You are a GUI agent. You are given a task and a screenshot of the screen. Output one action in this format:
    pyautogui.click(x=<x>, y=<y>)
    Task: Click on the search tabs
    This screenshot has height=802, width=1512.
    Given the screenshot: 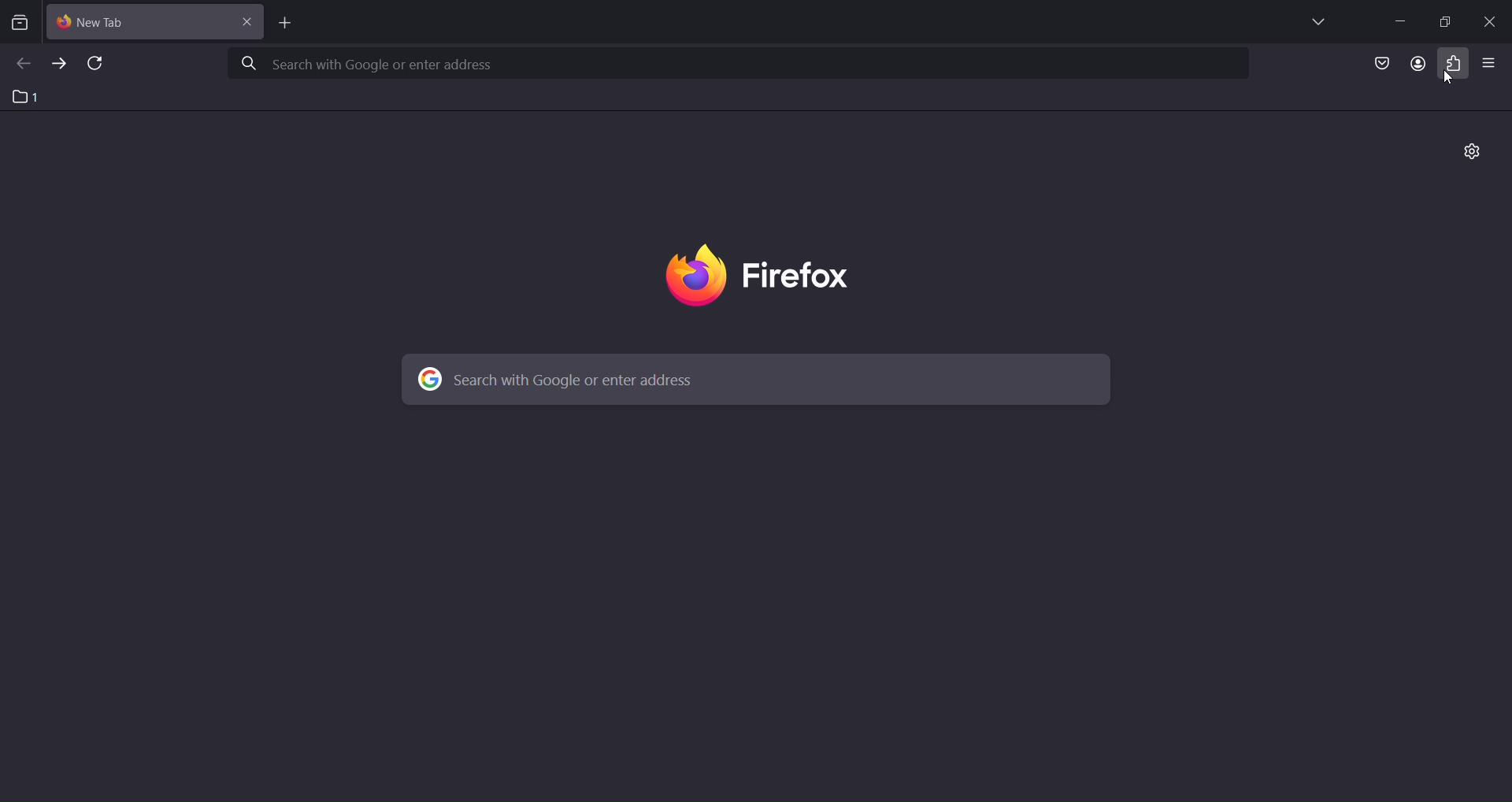 What is the action you would take?
    pyautogui.click(x=20, y=22)
    